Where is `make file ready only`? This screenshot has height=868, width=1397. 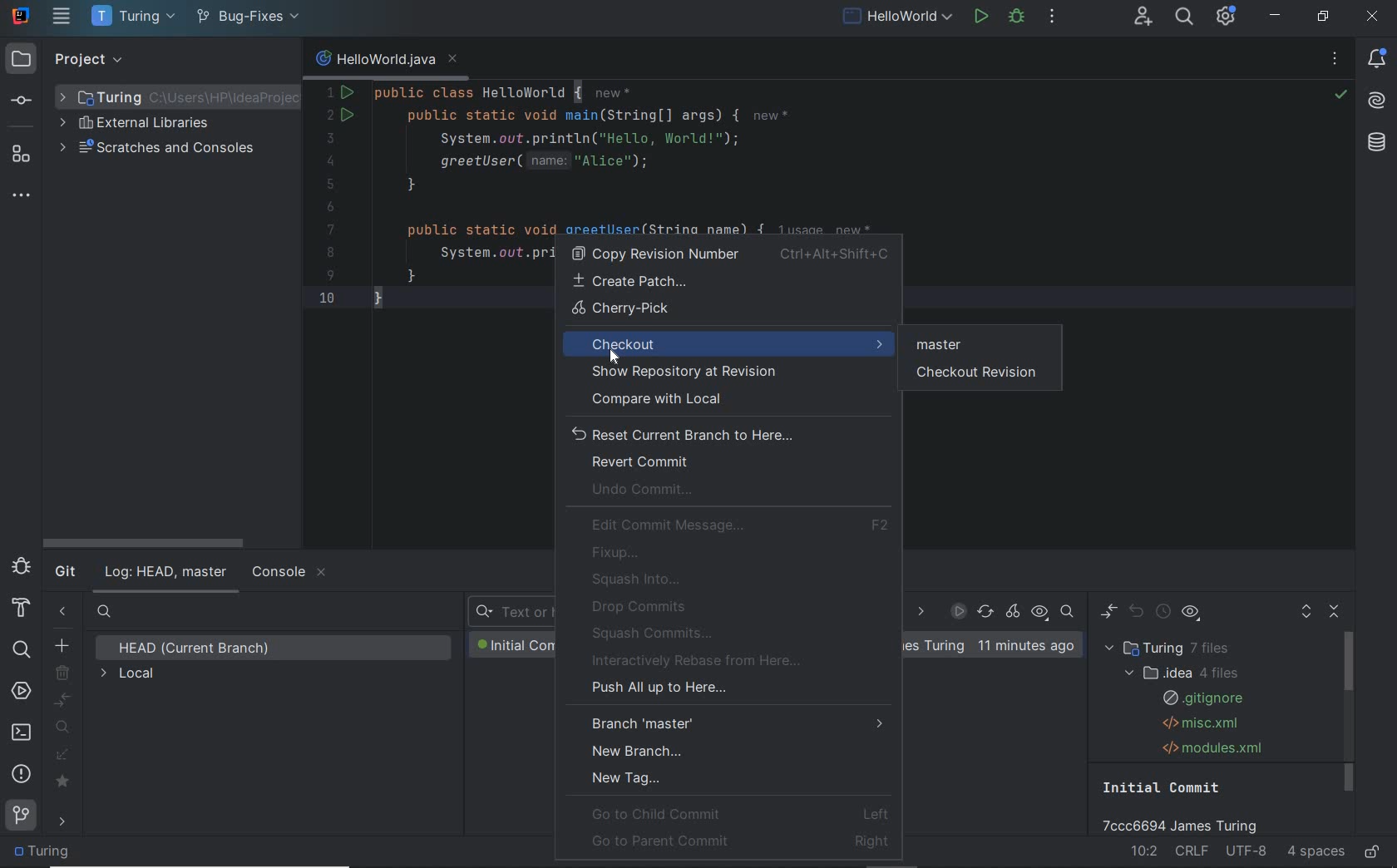
make file ready only is located at coordinates (1373, 853).